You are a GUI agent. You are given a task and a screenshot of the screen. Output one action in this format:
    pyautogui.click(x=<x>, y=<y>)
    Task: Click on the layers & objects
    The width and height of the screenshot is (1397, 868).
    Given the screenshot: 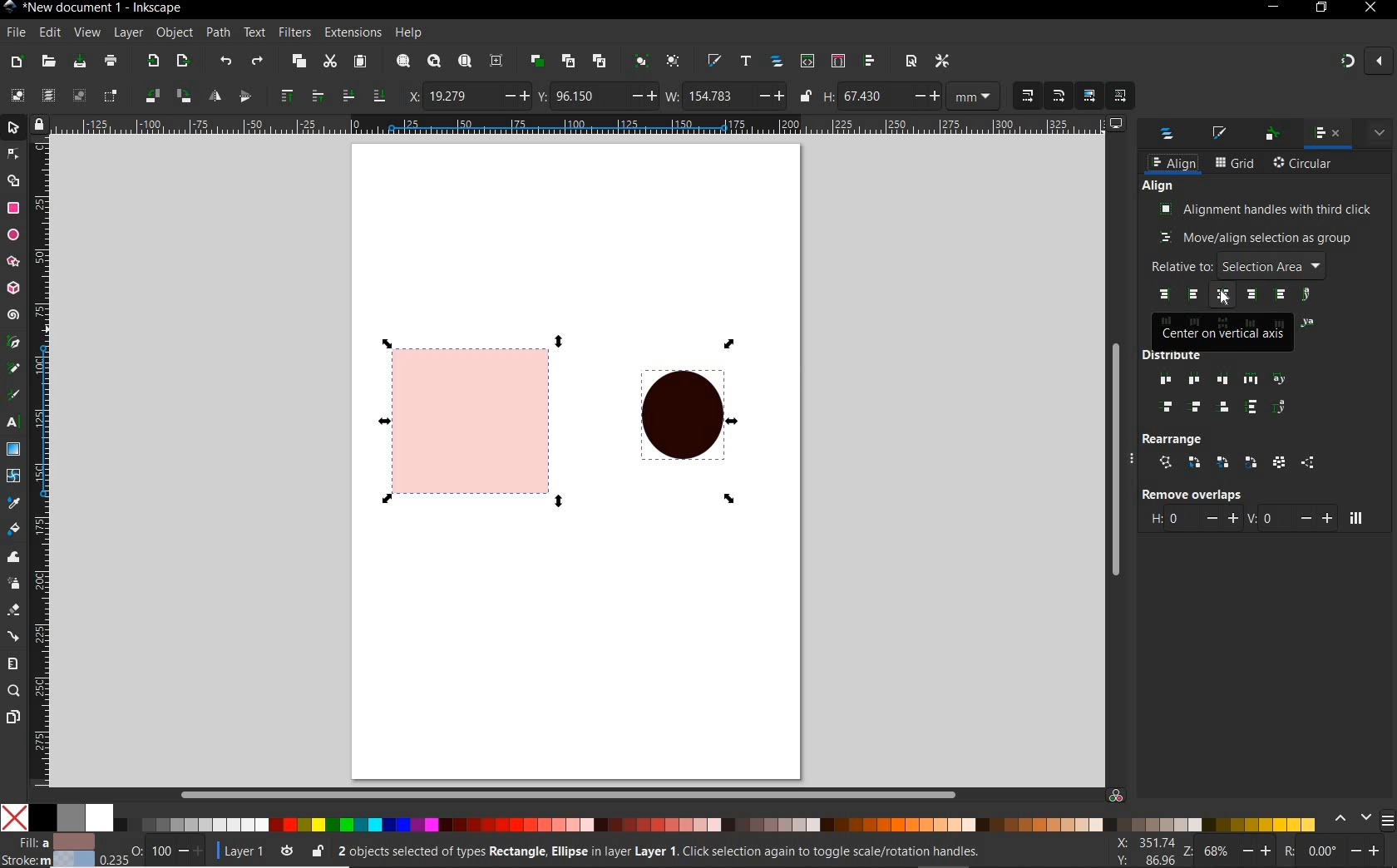 What is the action you would take?
    pyautogui.click(x=1168, y=136)
    